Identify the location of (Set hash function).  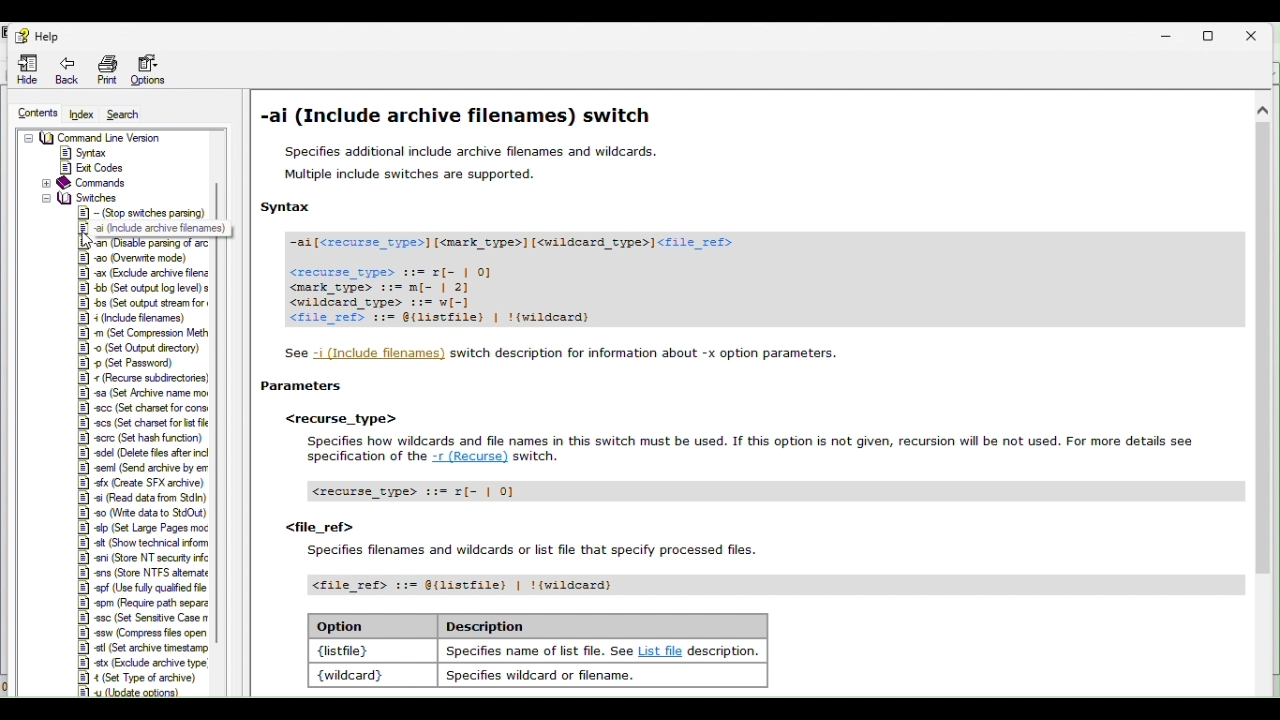
(142, 438).